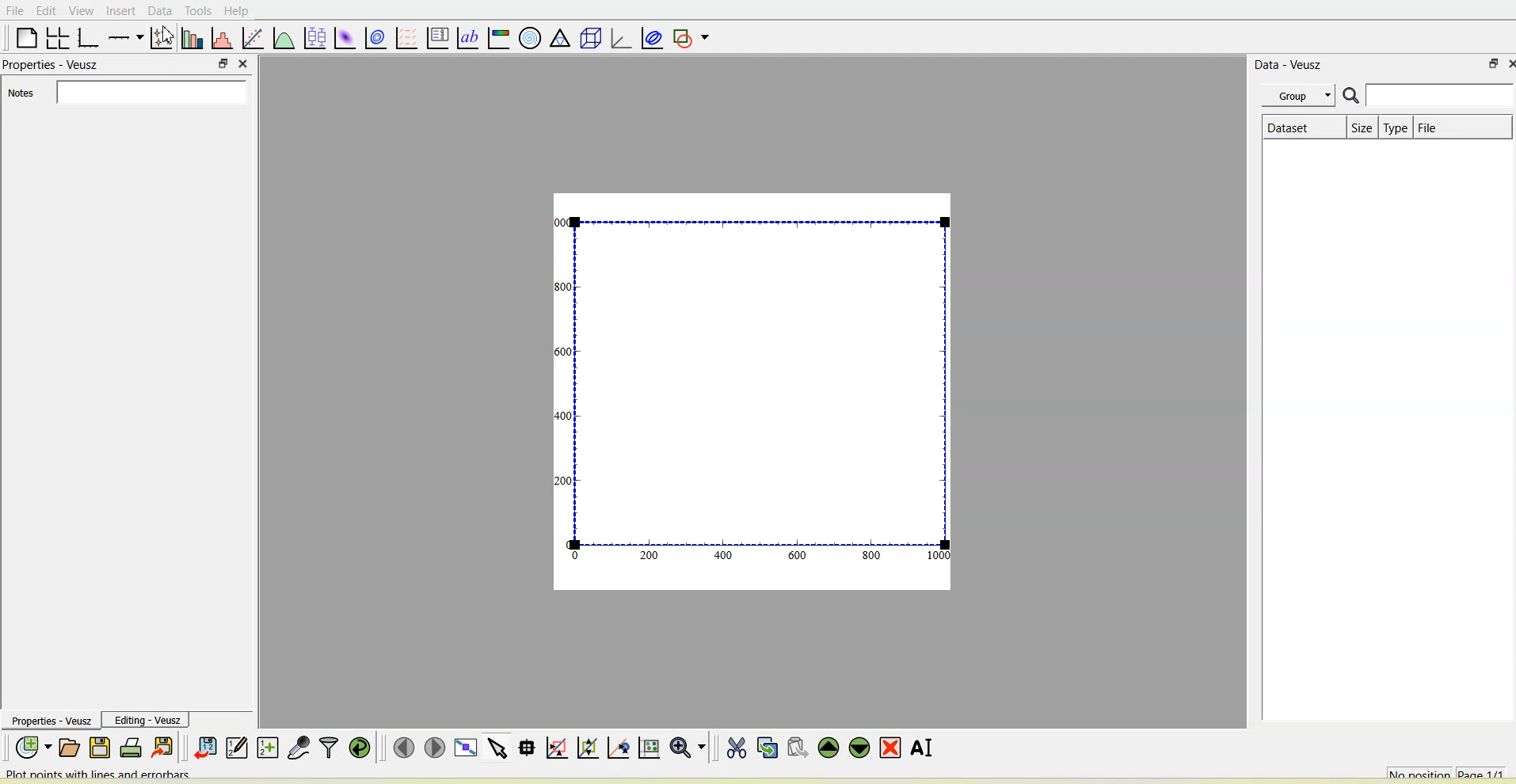 This screenshot has height=784, width=1516. I want to click on View plot full screen, so click(466, 748).